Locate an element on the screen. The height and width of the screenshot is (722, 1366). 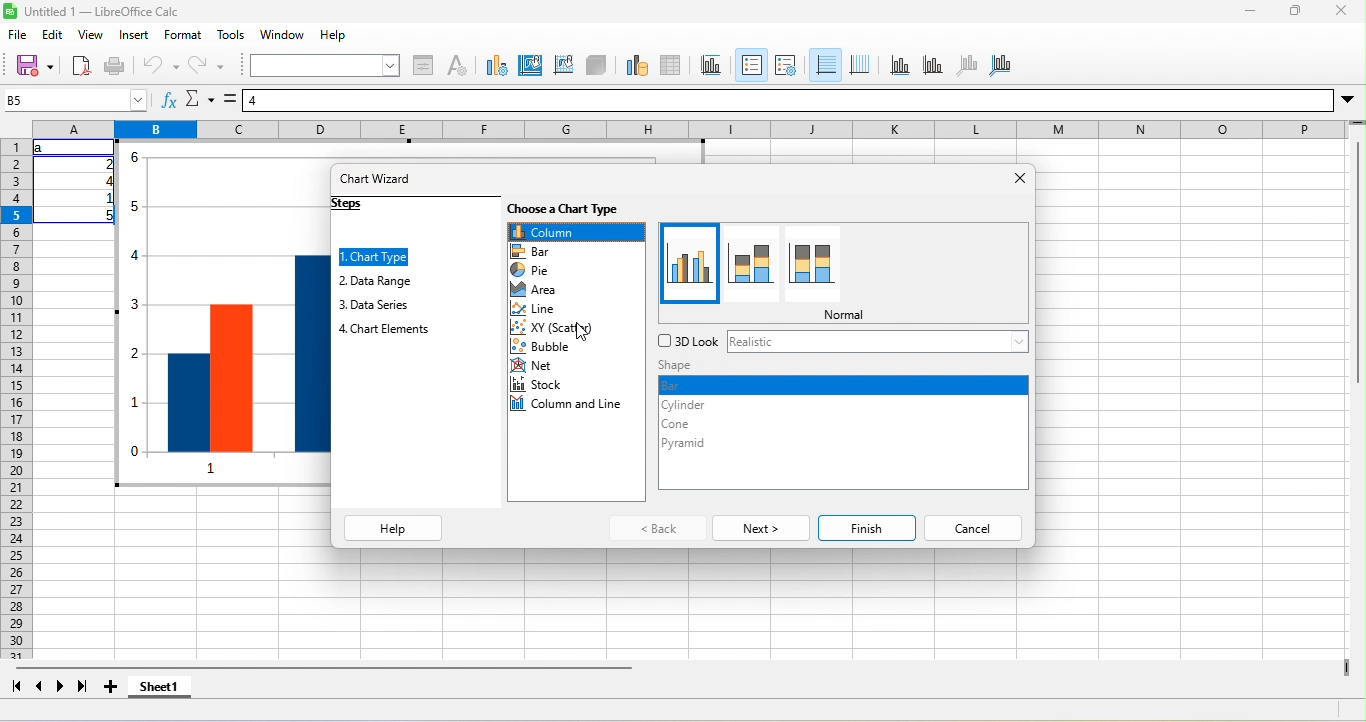
vertical grids is located at coordinates (860, 67).